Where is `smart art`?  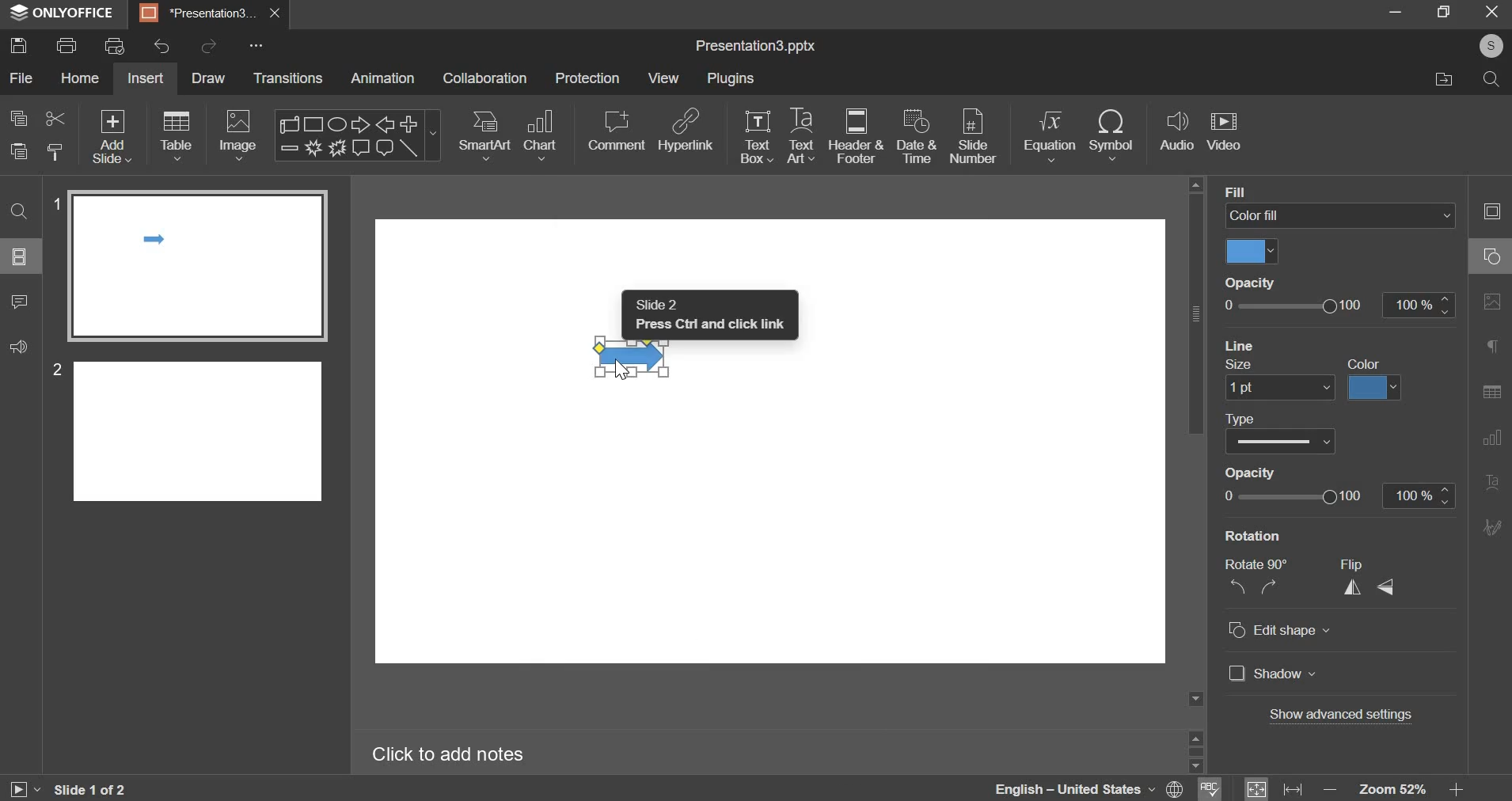
smart art is located at coordinates (486, 135).